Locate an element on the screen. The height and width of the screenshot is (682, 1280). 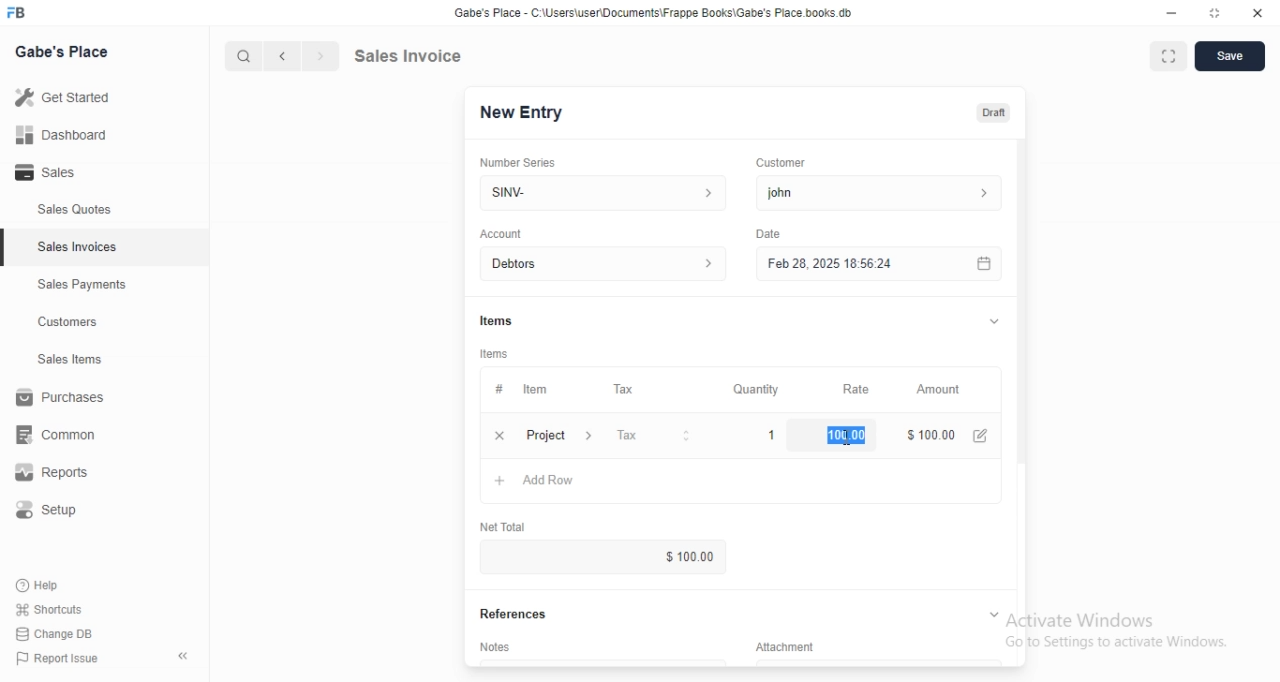
Account is located at coordinates (607, 264).